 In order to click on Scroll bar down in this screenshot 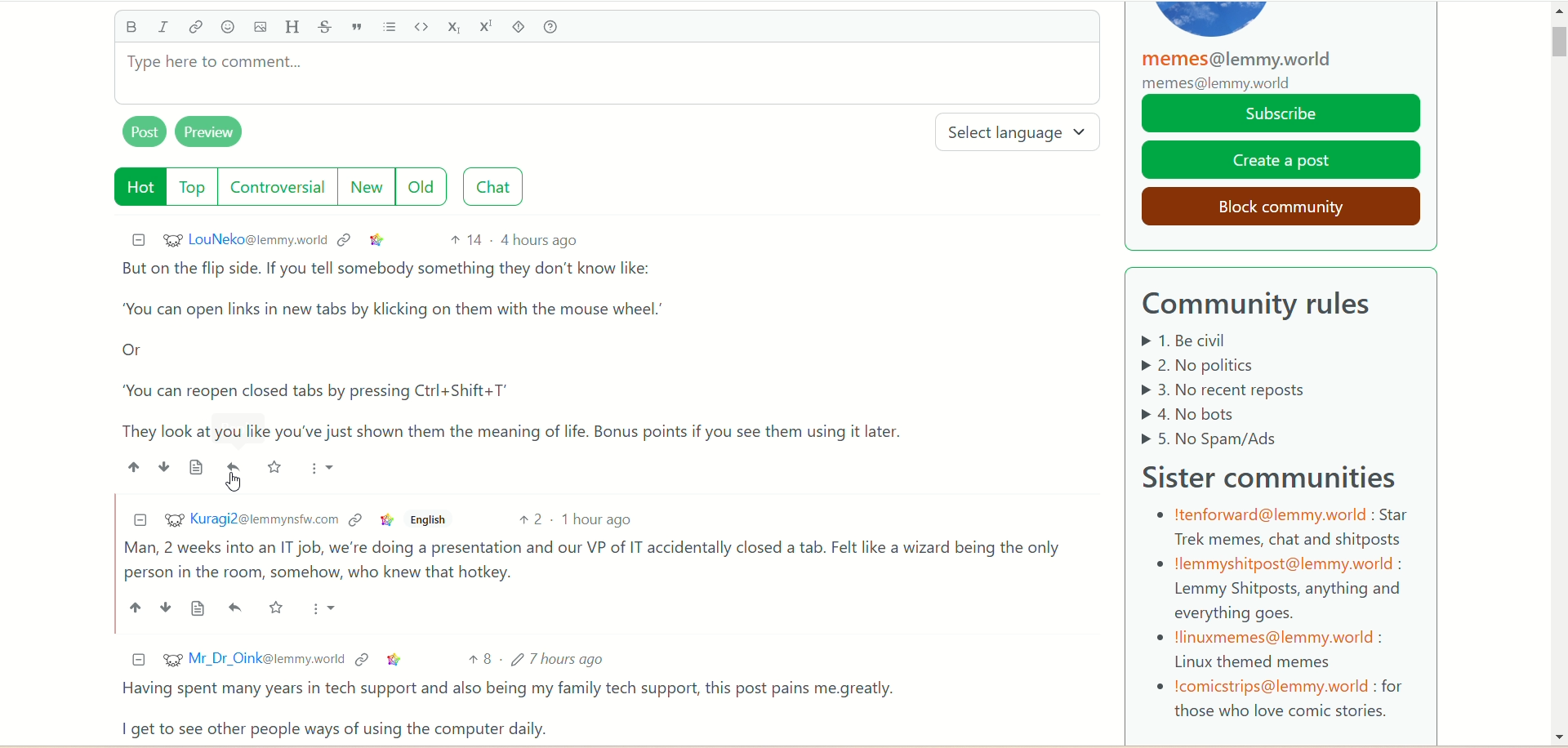, I will do `click(1557, 737)`.